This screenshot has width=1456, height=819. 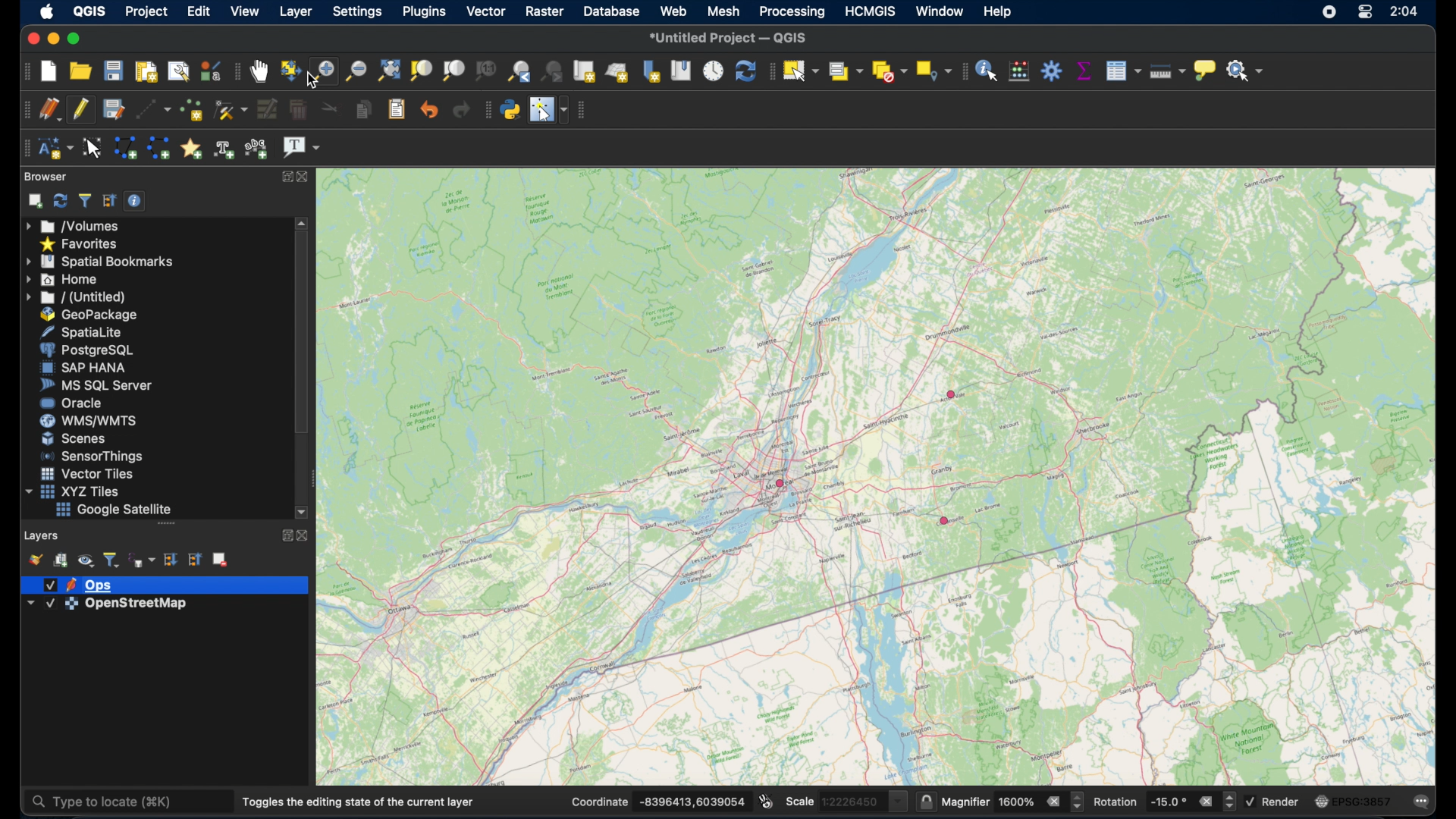 What do you see at coordinates (46, 11) in the screenshot?
I see `apple logo` at bounding box center [46, 11].